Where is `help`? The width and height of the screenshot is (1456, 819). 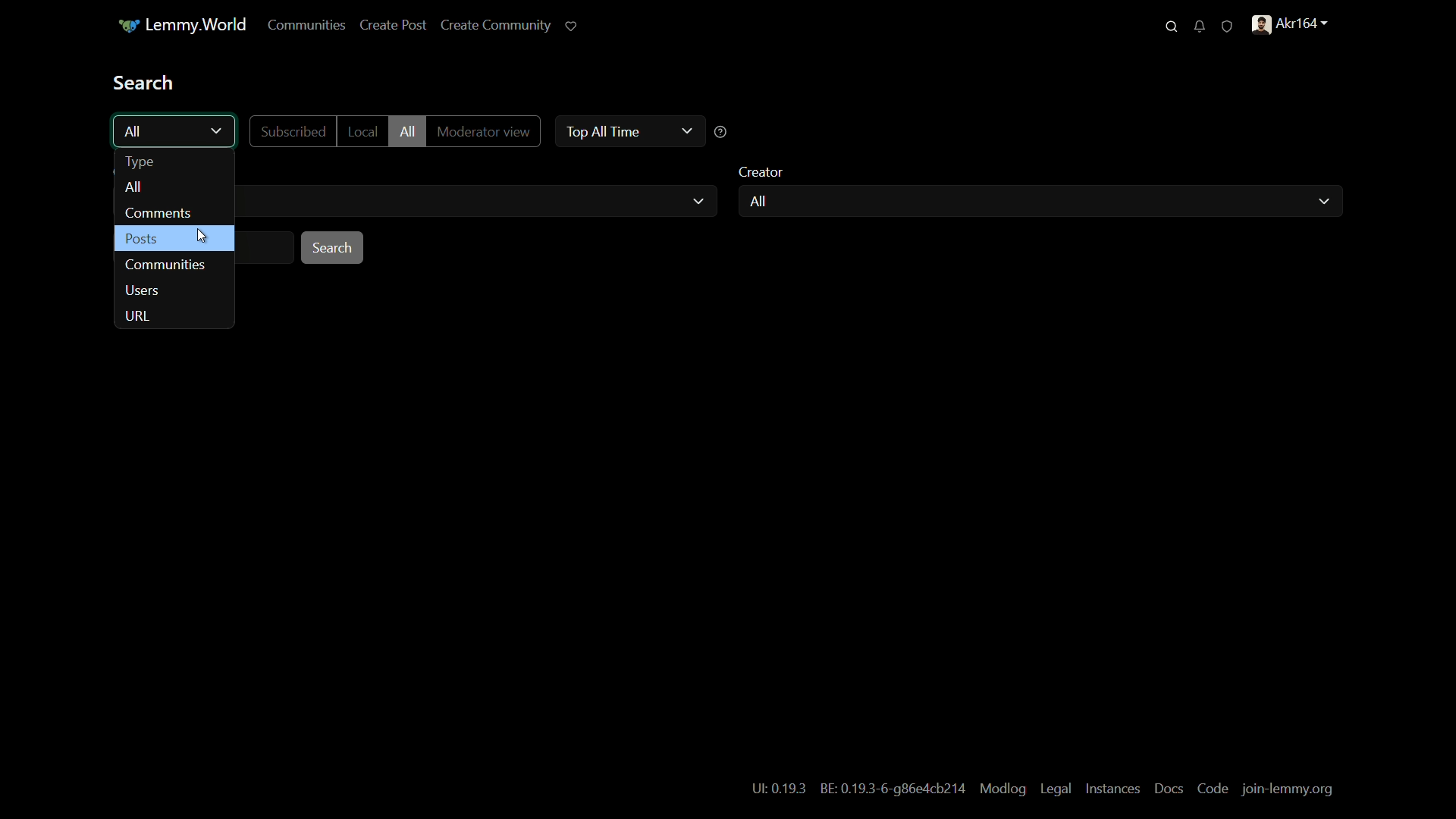 help is located at coordinates (721, 133).